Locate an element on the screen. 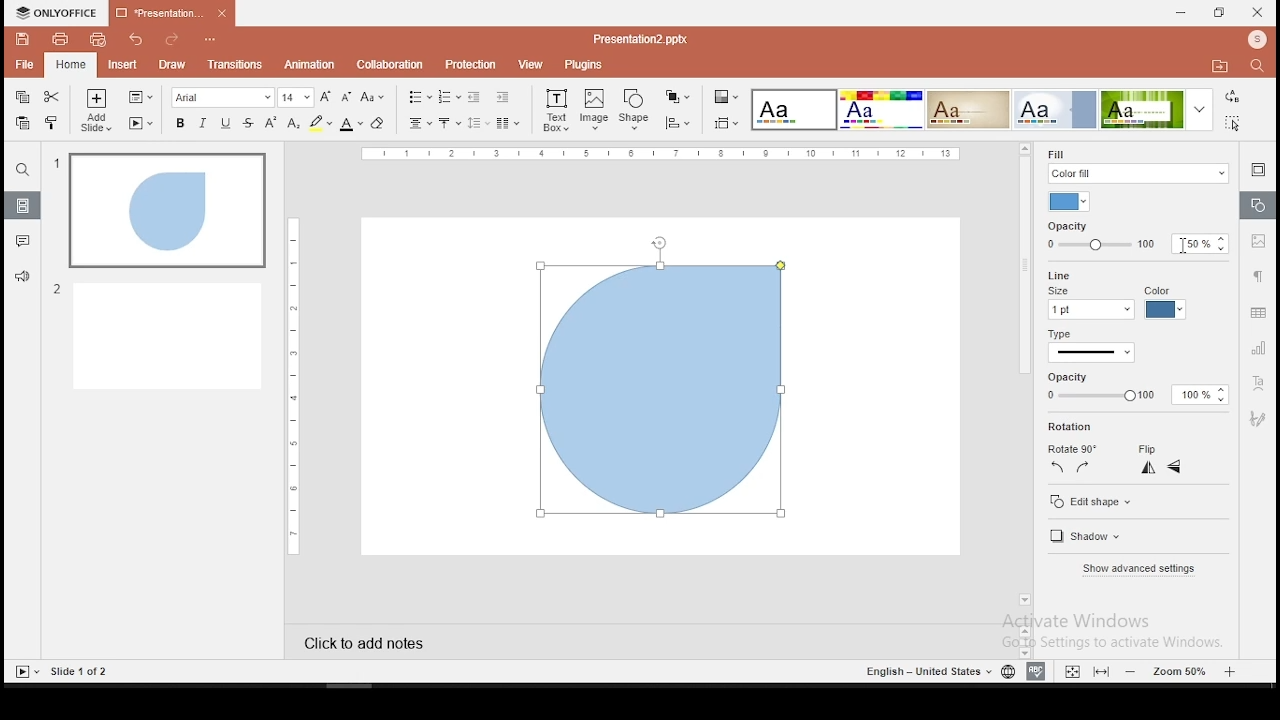  change color theme is located at coordinates (725, 98).